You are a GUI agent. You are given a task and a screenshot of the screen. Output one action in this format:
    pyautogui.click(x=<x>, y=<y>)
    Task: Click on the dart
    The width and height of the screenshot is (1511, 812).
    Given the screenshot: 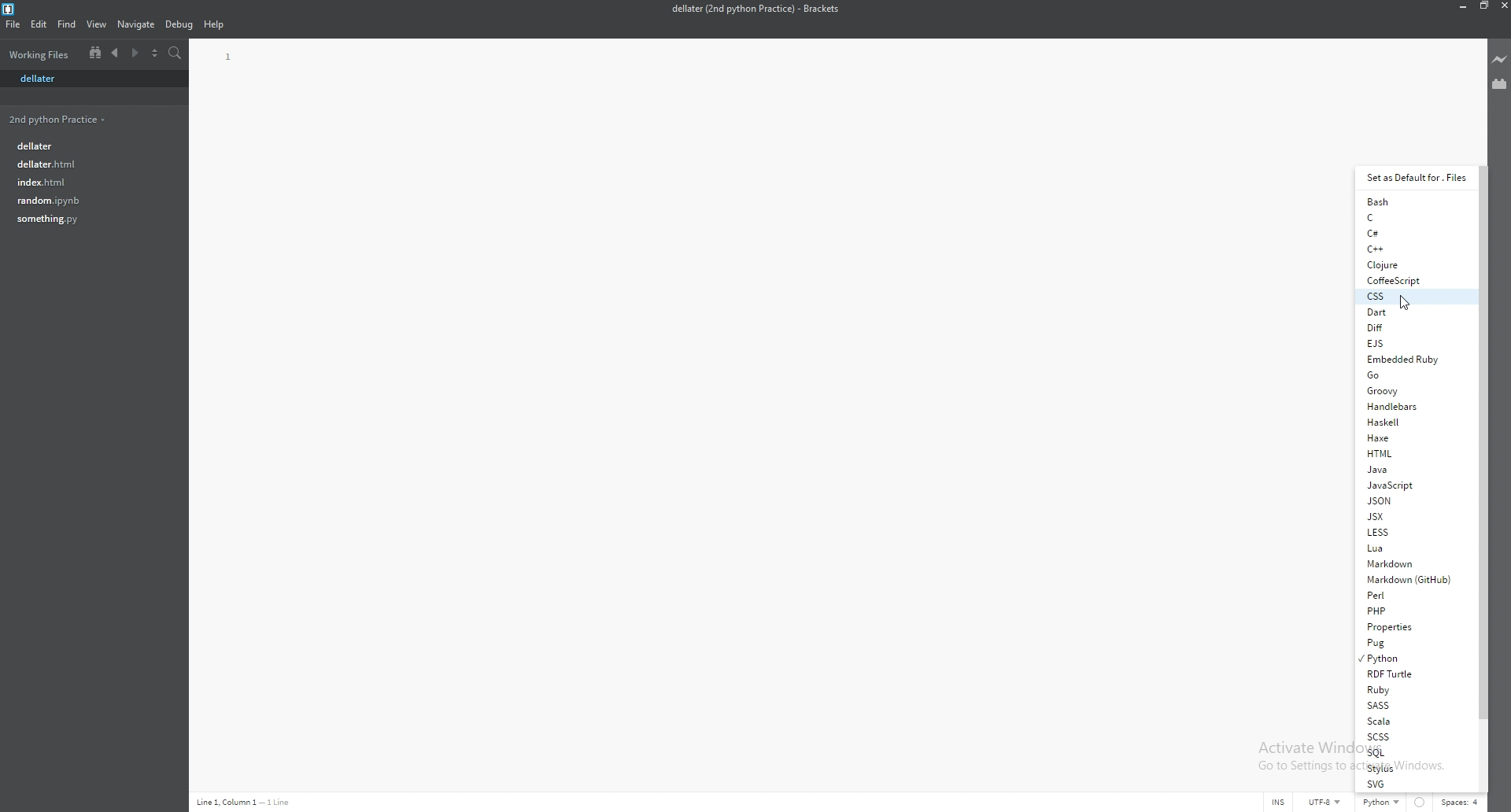 What is the action you would take?
    pyautogui.click(x=1413, y=311)
    